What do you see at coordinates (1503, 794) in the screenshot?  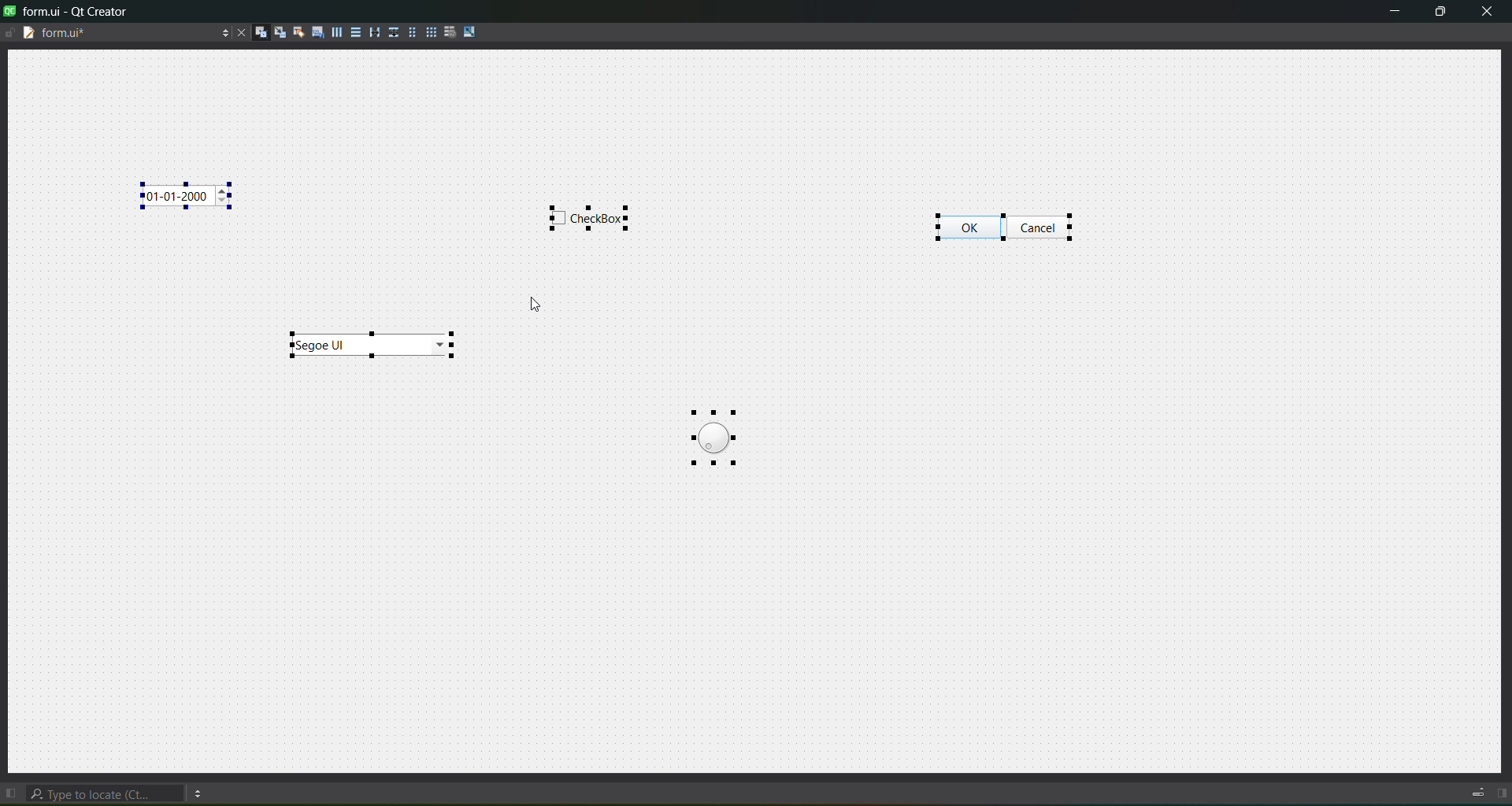 I see `show right sidebar` at bounding box center [1503, 794].